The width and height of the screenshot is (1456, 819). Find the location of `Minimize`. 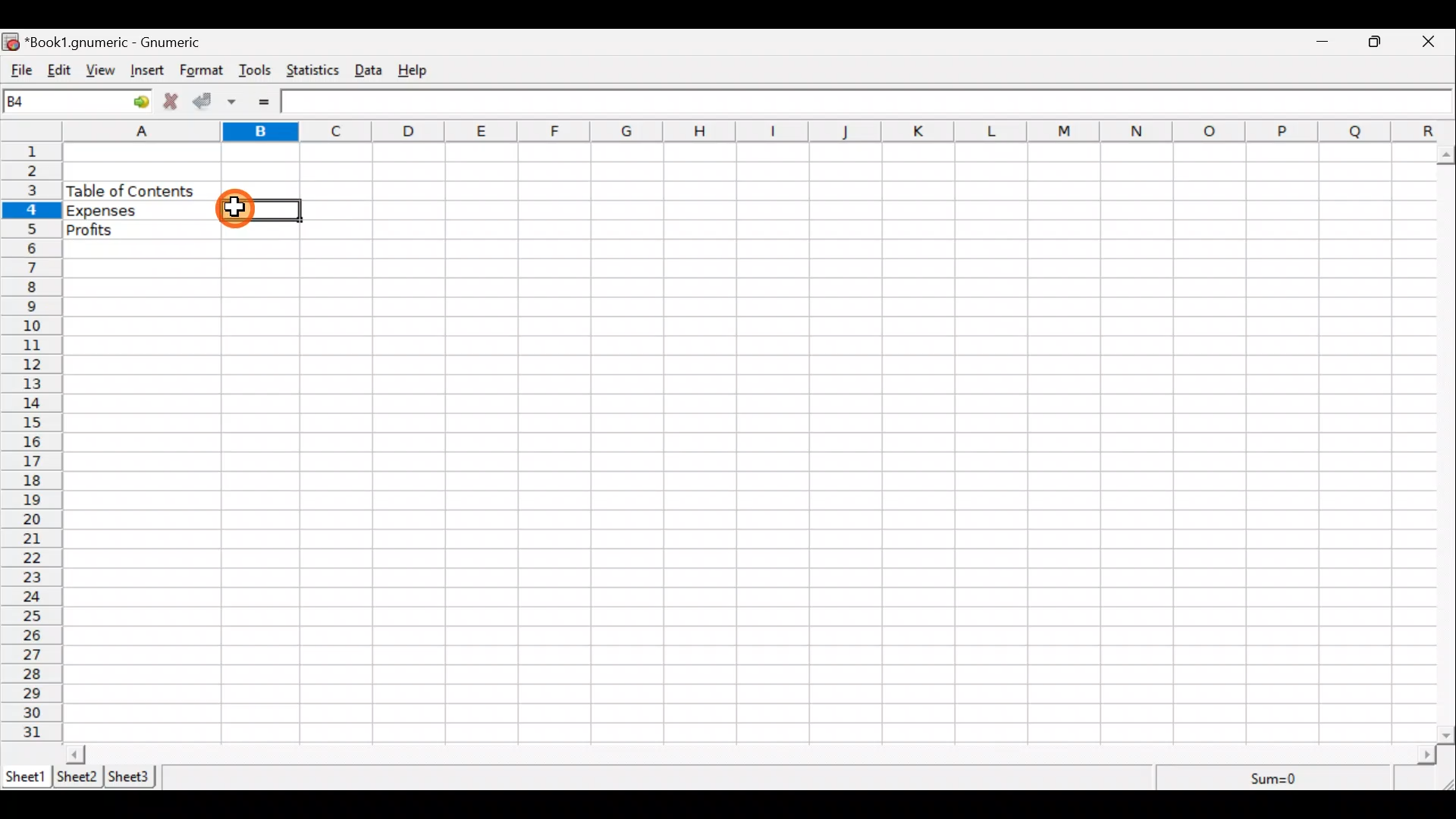

Minimize is located at coordinates (1323, 43).